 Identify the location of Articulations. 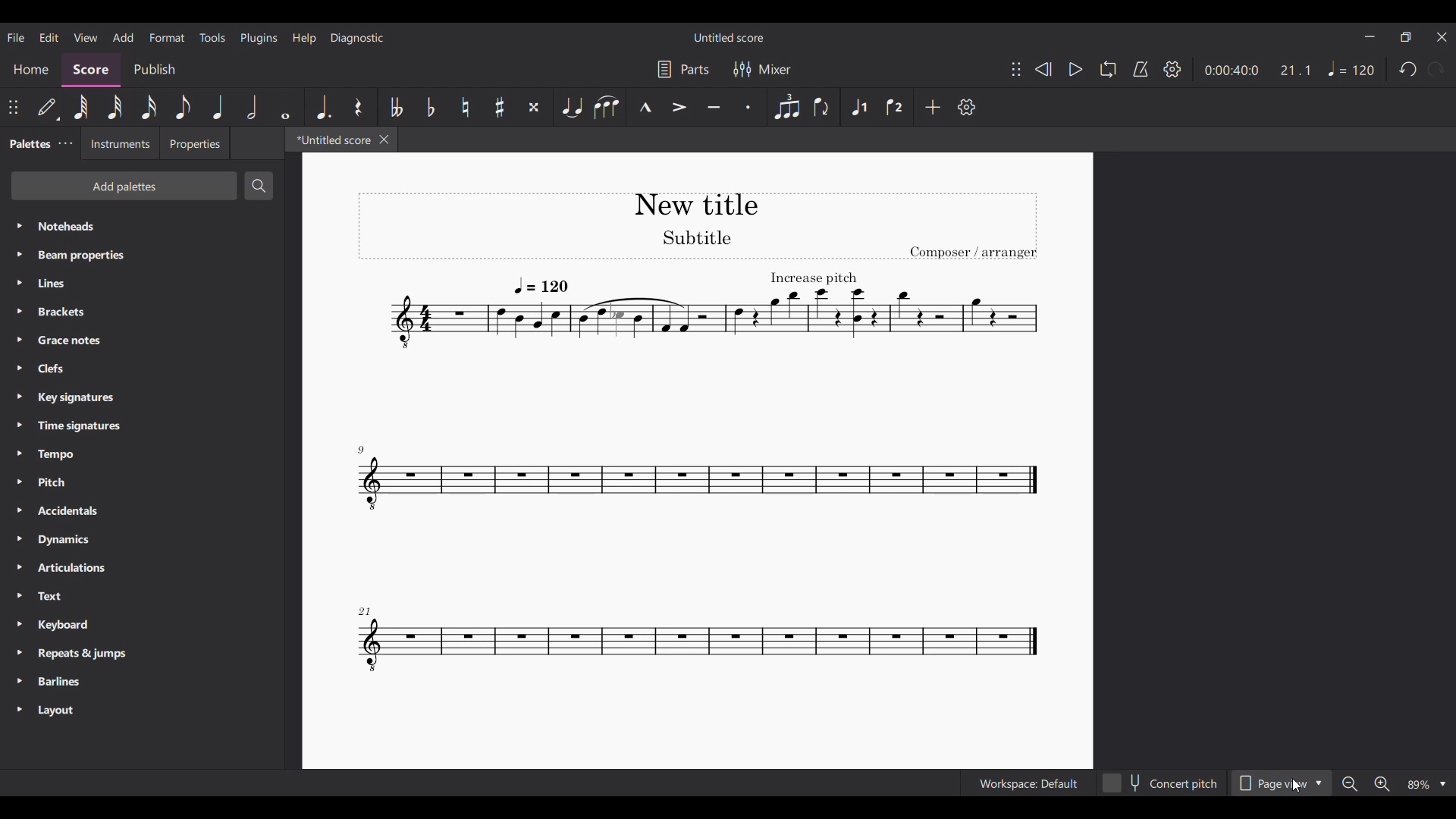
(141, 567).